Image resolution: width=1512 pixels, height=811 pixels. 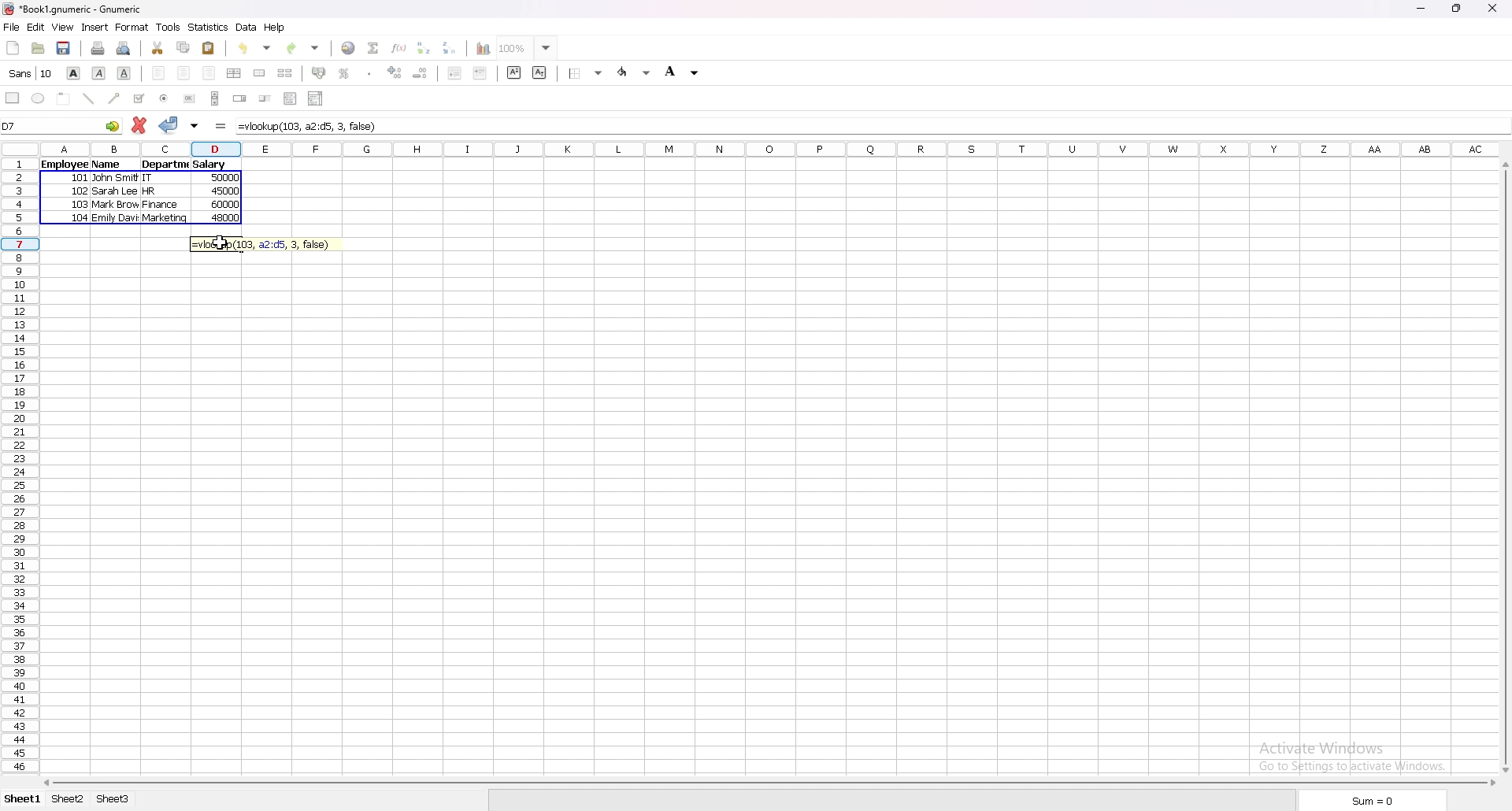 What do you see at coordinates (116, 98) in the screenshot?
I see `arrowed line` at bounding box center [116, 98].